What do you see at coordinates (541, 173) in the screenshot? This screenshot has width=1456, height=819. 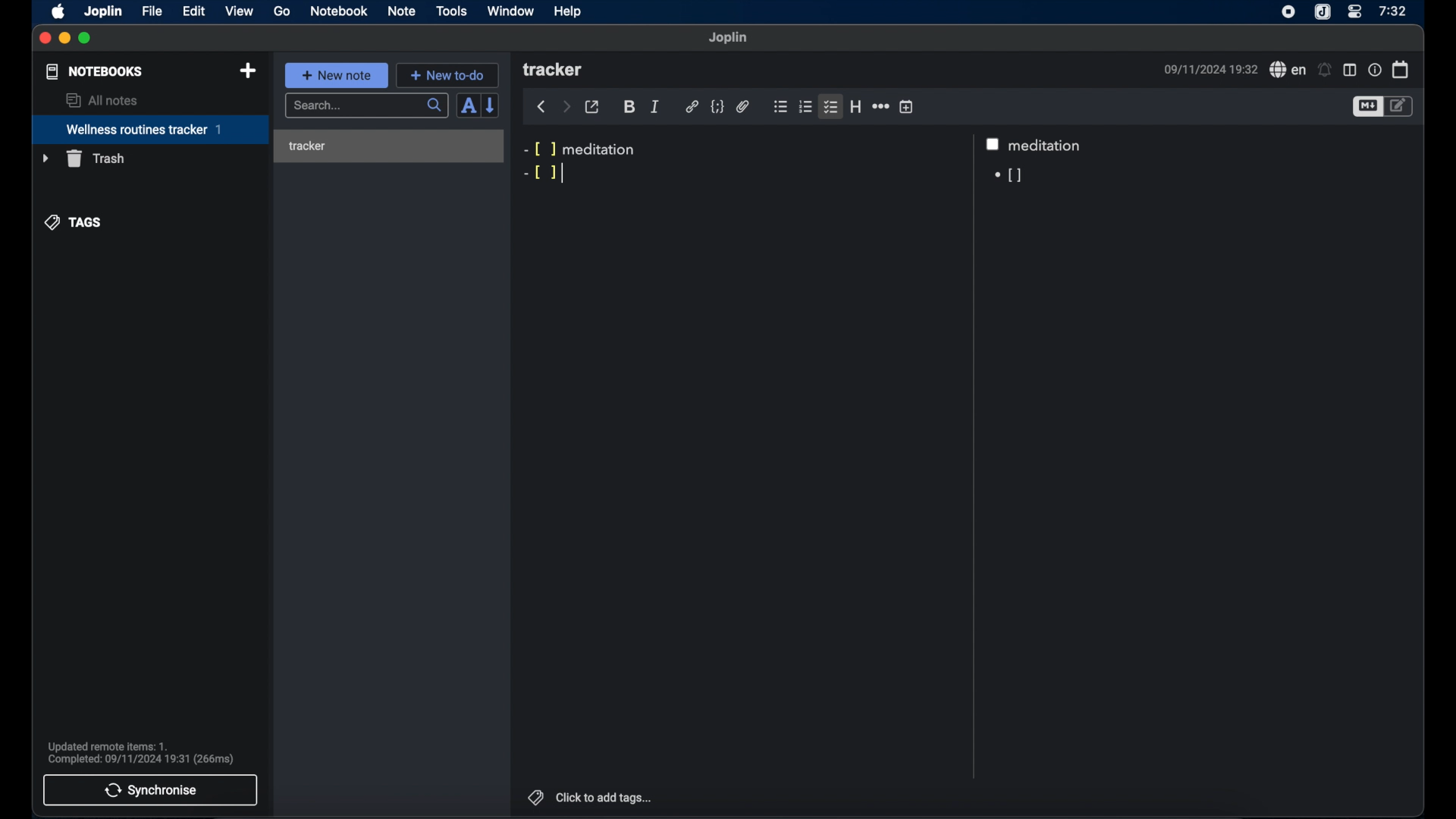 I see `-[ ]` at bounding box center [541, 173].